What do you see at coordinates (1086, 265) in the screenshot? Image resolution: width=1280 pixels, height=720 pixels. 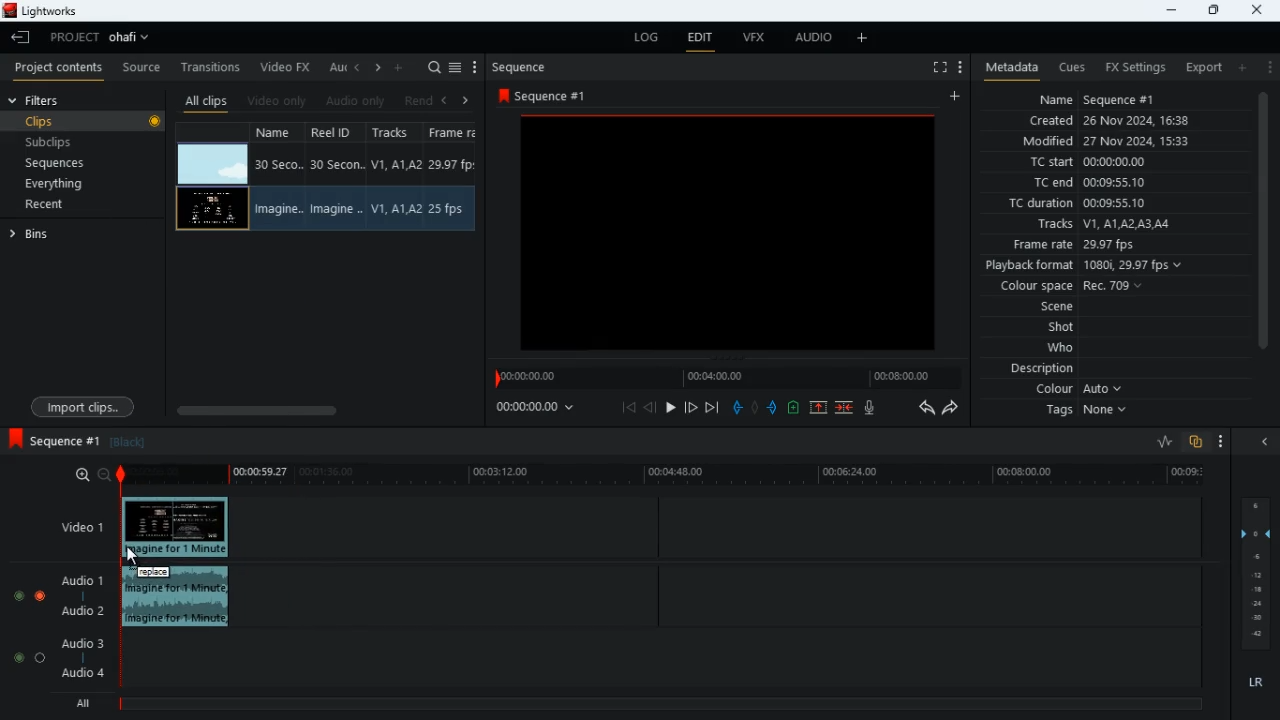 I see `playback format` at bounding box center [1086, 265].